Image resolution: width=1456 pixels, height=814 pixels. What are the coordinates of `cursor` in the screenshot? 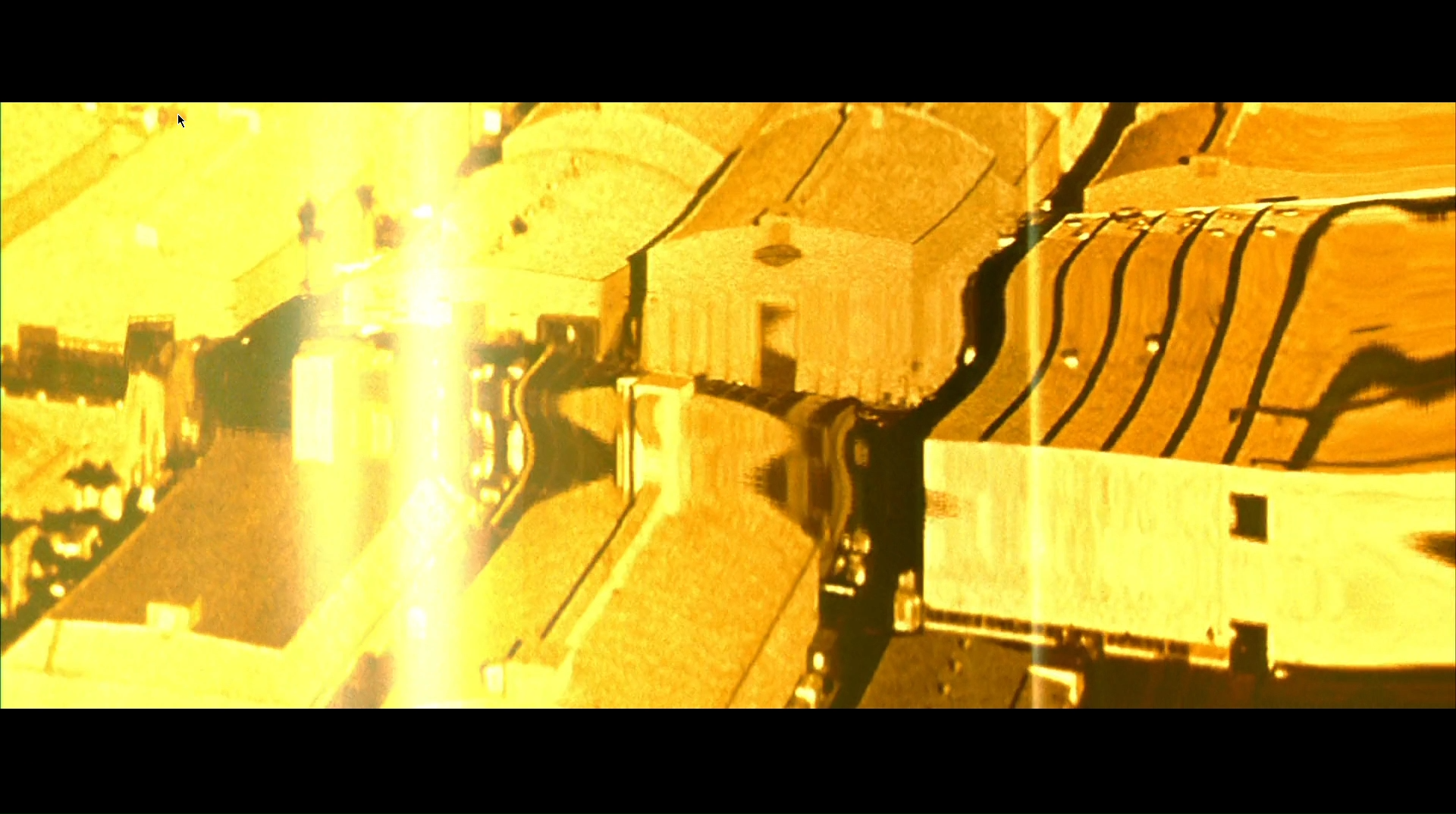 It's located at (180, 121).